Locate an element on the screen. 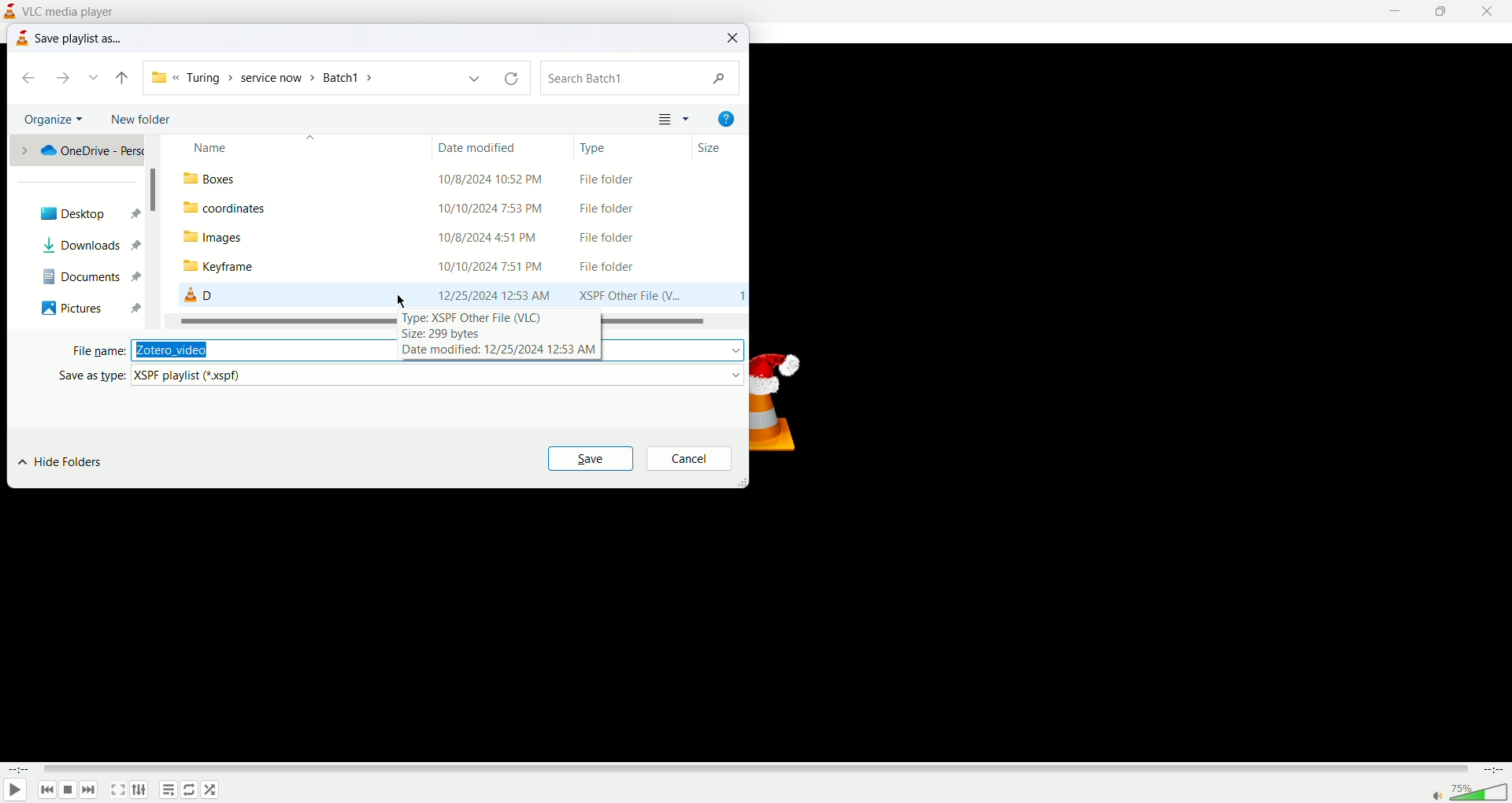 This screenshot has width=1512, height=803. stop is located at coordinates (69, 791).